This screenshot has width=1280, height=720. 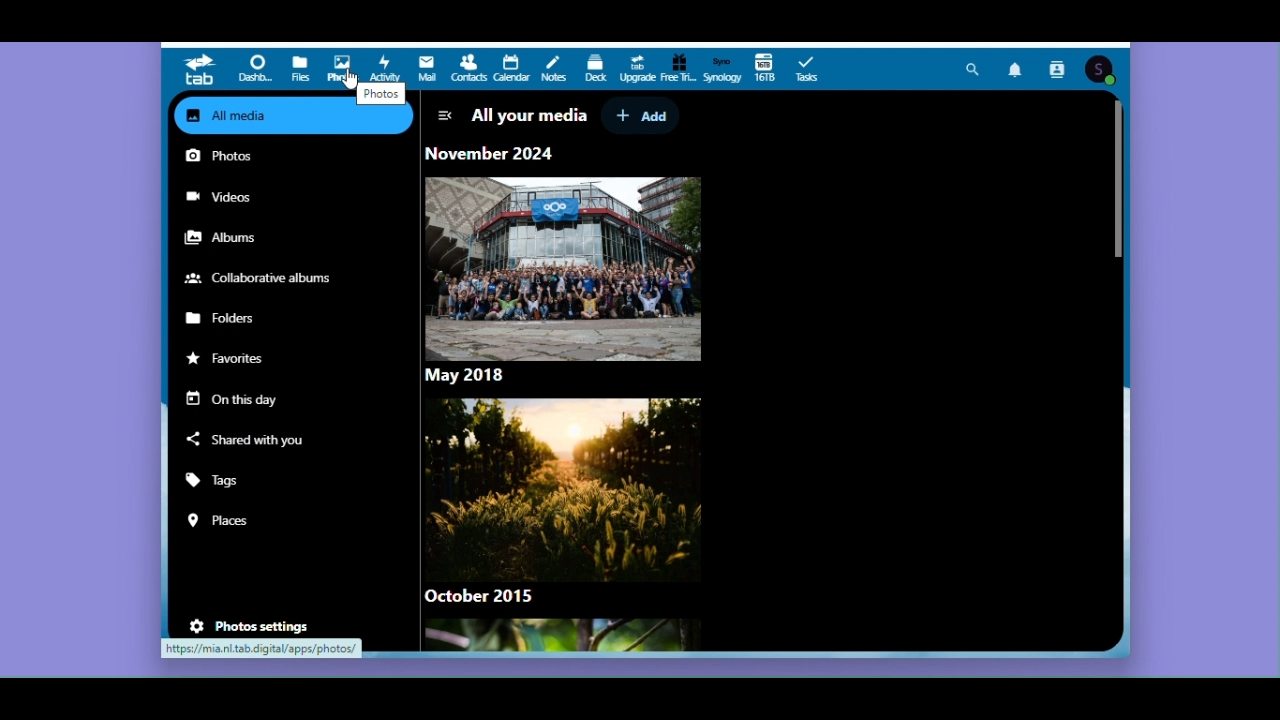 What do you see at coordinates (490, 153) in the screenshot?
I see `November 2024` at bounding box center [490, 153].